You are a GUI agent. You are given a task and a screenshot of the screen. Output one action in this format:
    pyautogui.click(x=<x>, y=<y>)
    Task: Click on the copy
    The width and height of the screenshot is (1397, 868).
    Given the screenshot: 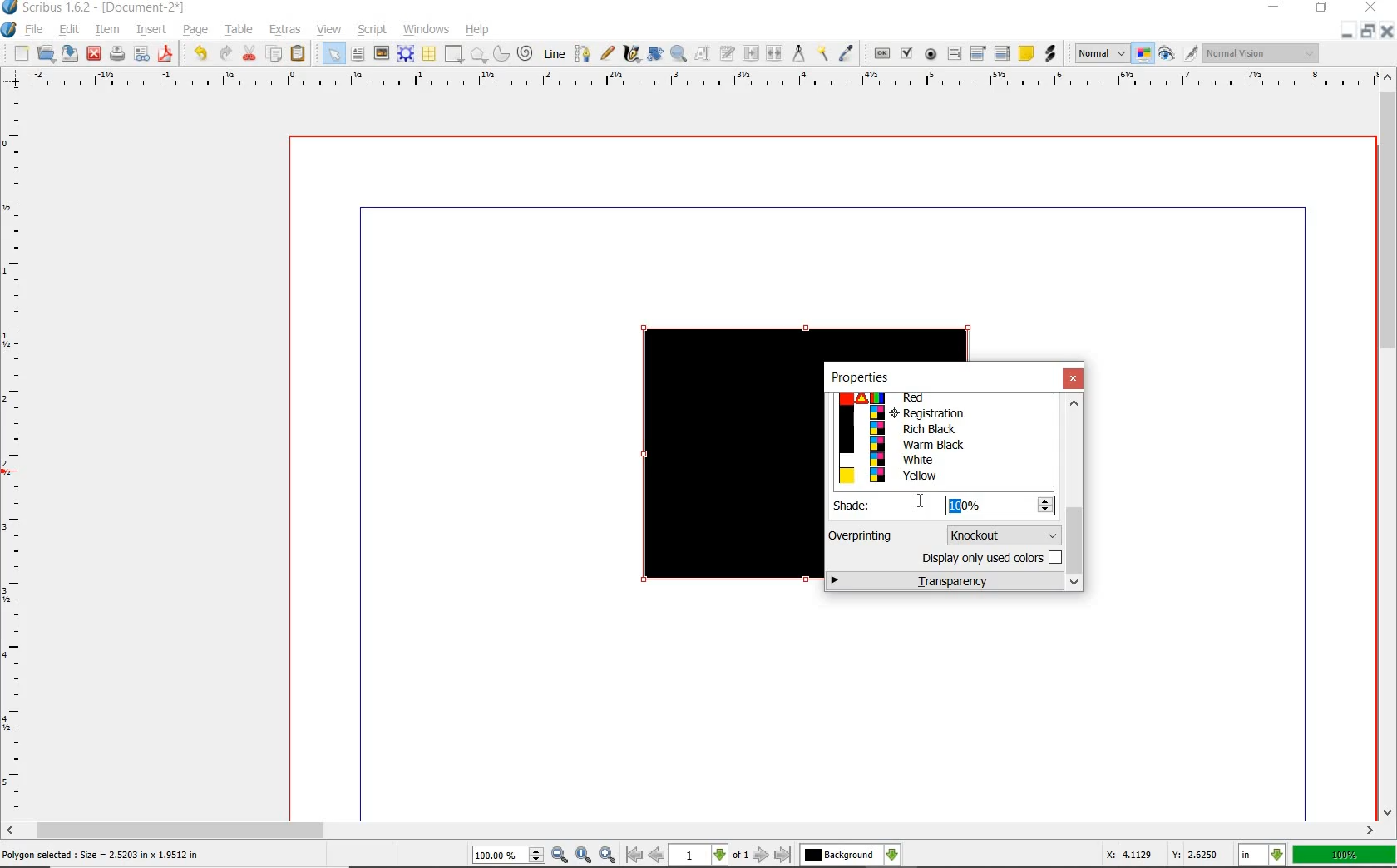 What is the action you would take?
    pyautogui.click(x=276, y=52)
    